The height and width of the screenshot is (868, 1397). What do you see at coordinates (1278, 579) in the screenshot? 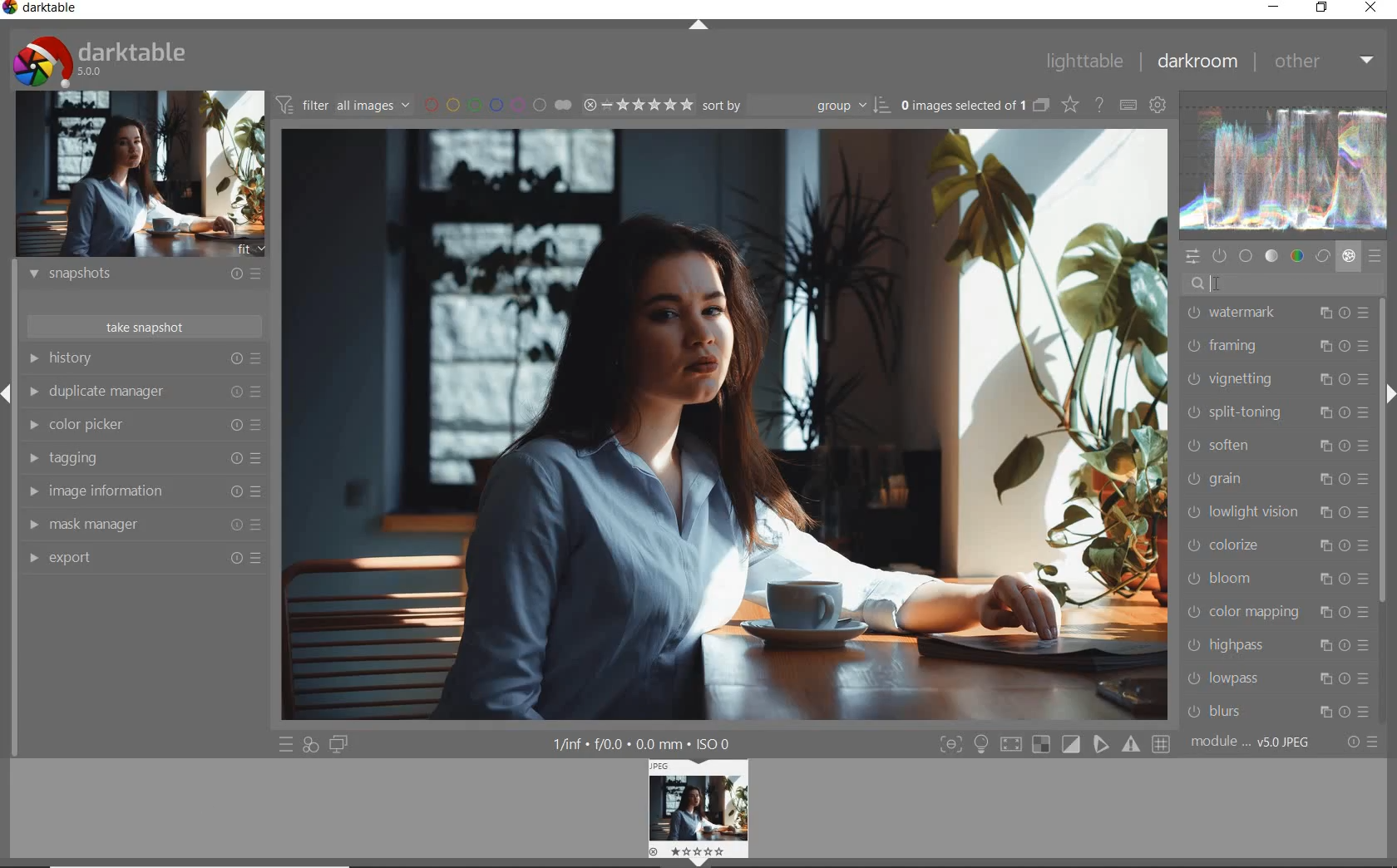
I see `bloom` at bounding box center [1278, 579].